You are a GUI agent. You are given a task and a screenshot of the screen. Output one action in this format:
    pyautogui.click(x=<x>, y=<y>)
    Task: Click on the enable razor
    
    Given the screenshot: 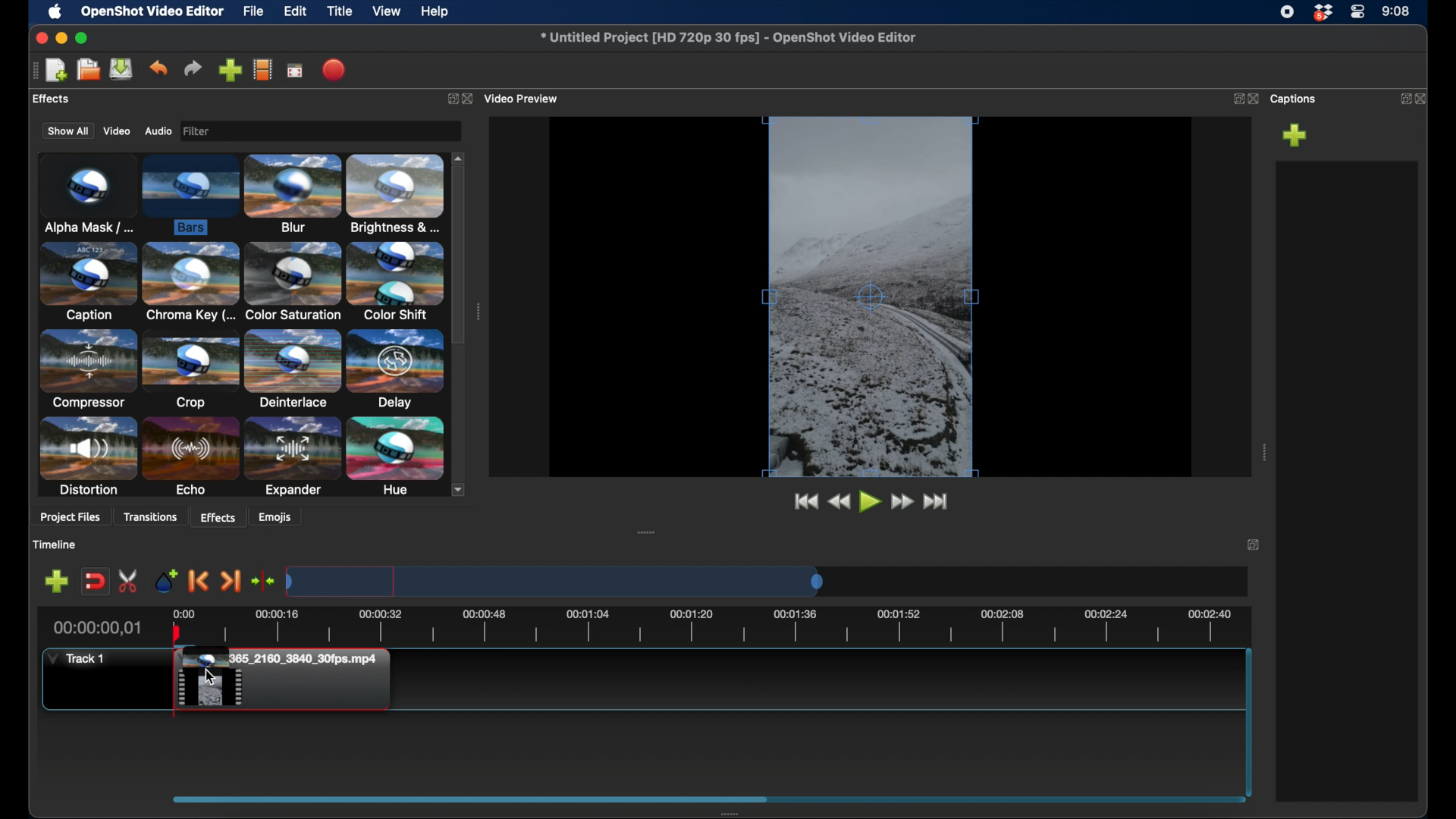 What is the action you would take?
    pyautogui.click(x=129, y=580)
    